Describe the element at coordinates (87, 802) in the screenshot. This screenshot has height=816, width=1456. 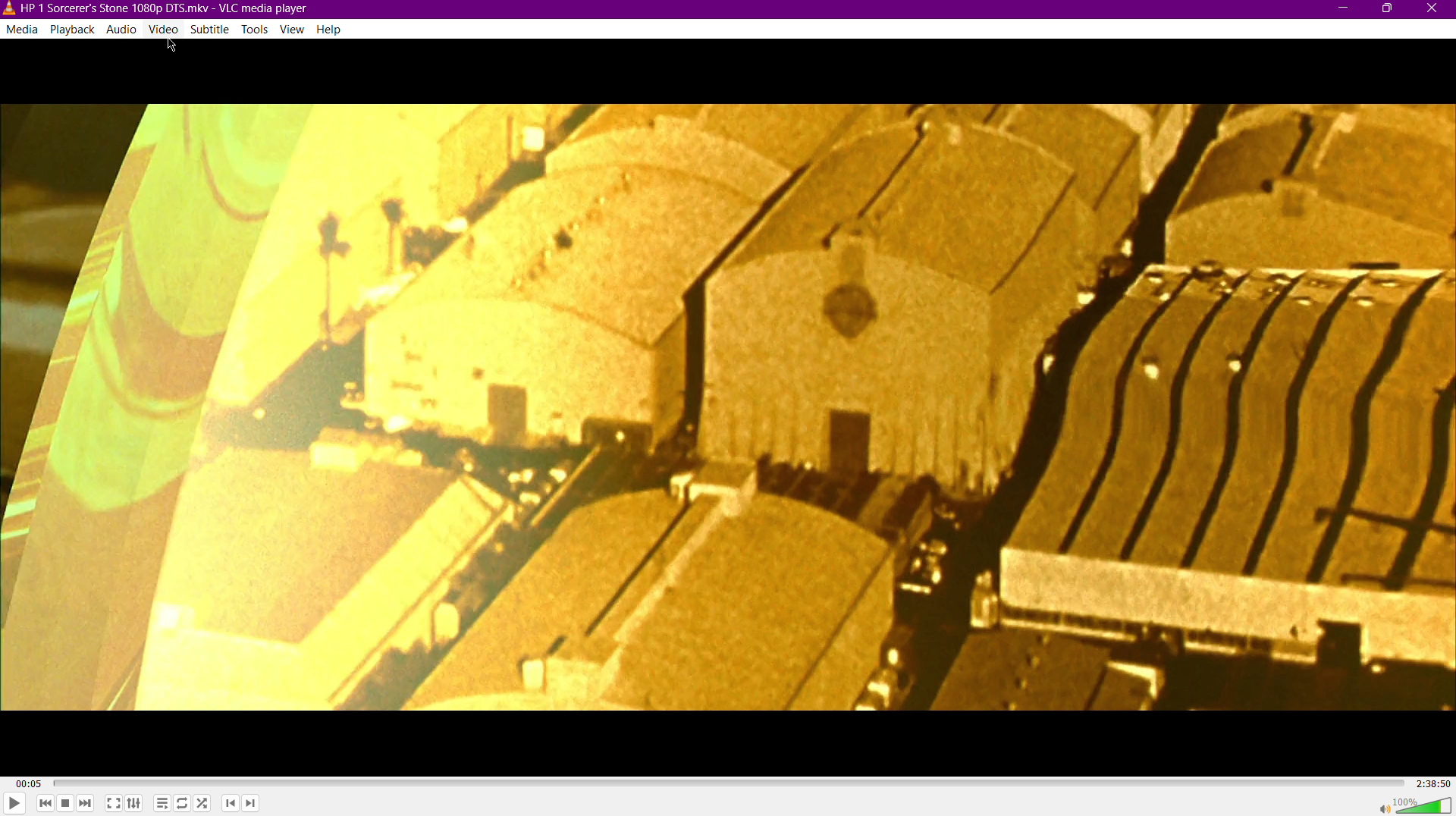
I see `Skip Forward` at that location.